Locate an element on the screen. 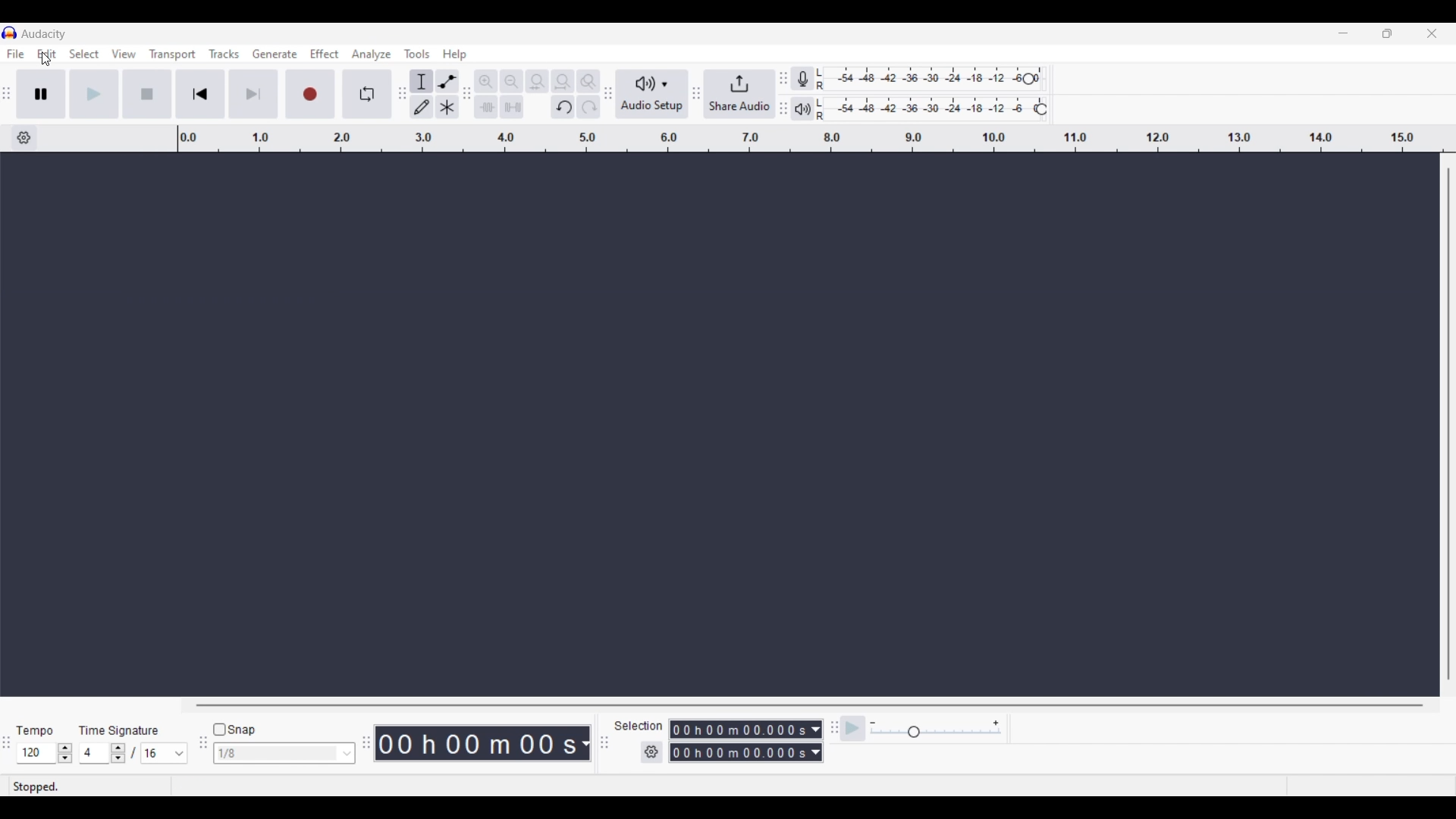 This screenshot has height=819, width=1456. Stop is located at coordinates (148, 94).